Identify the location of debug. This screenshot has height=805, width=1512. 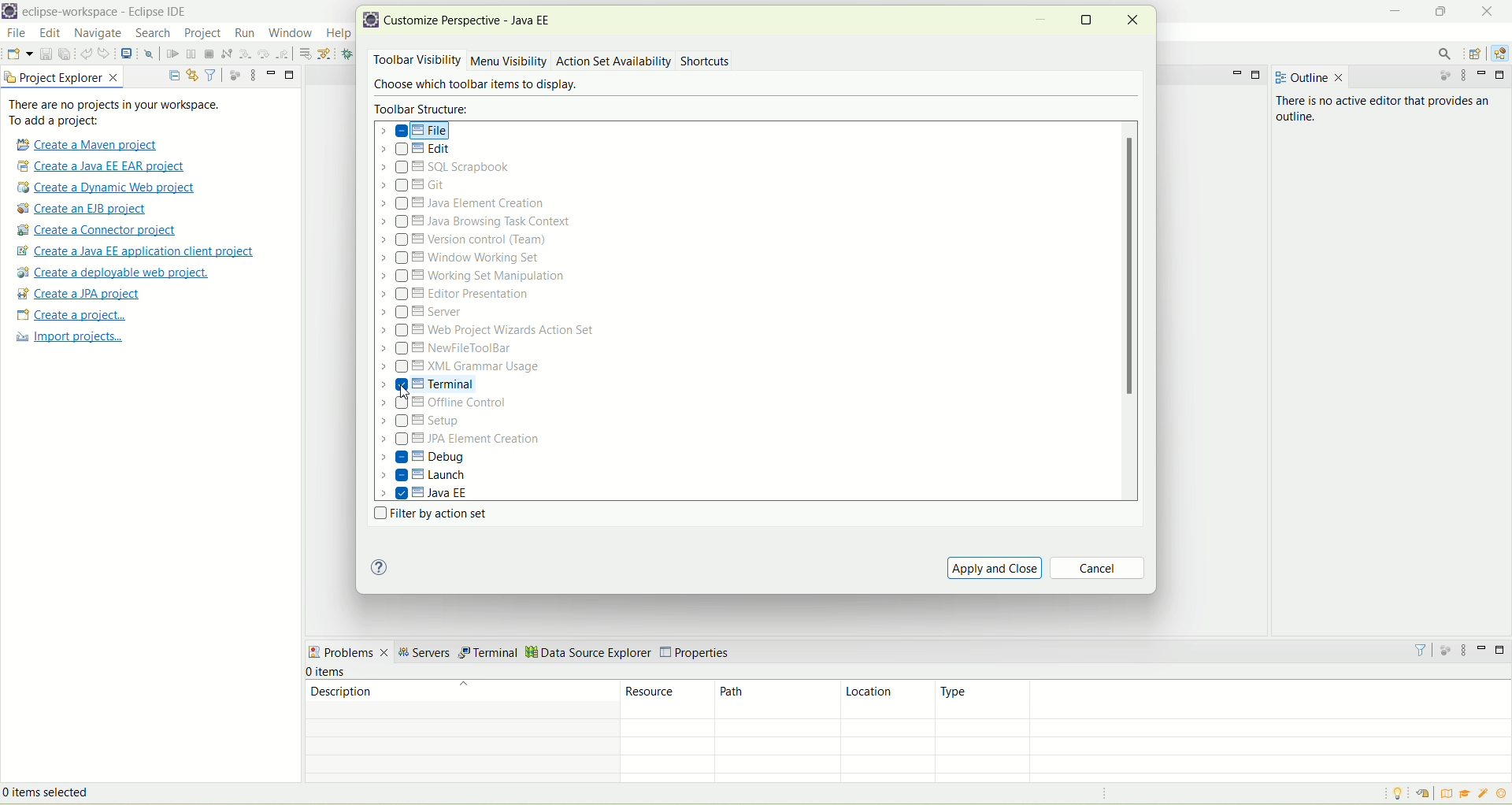
(423, 457).